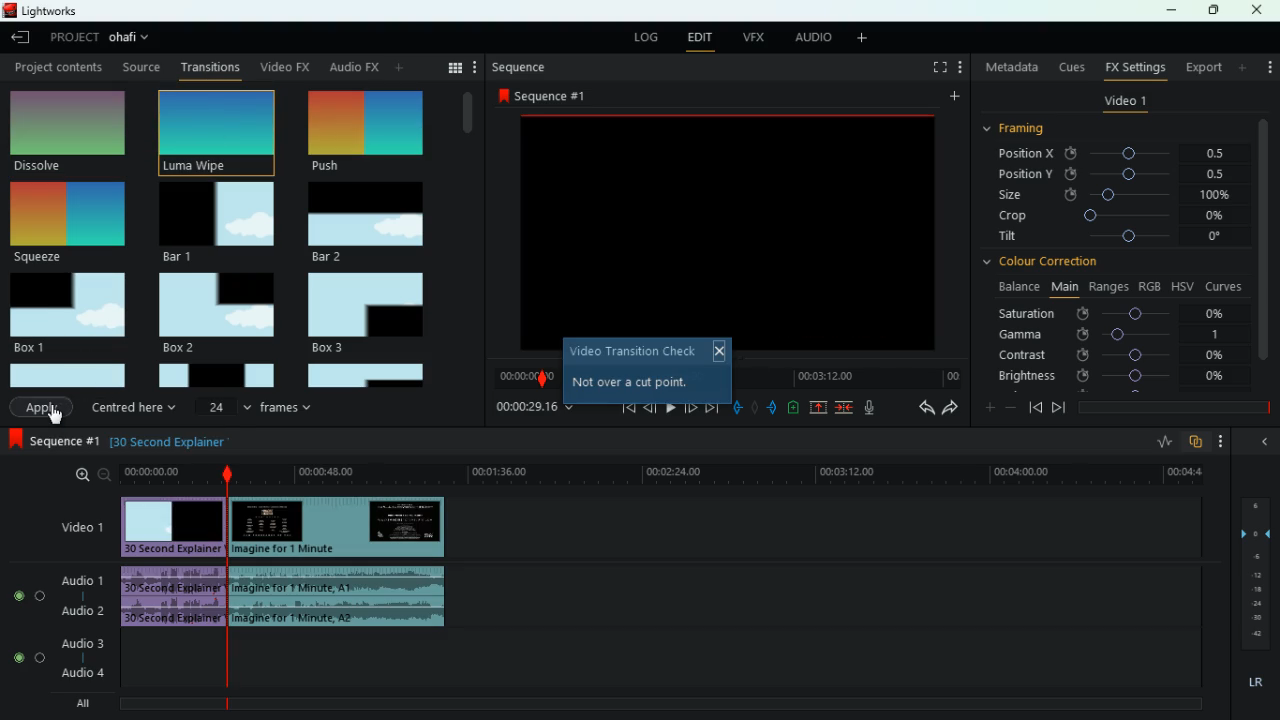  I want to click on bar 1, so click(218, 223).